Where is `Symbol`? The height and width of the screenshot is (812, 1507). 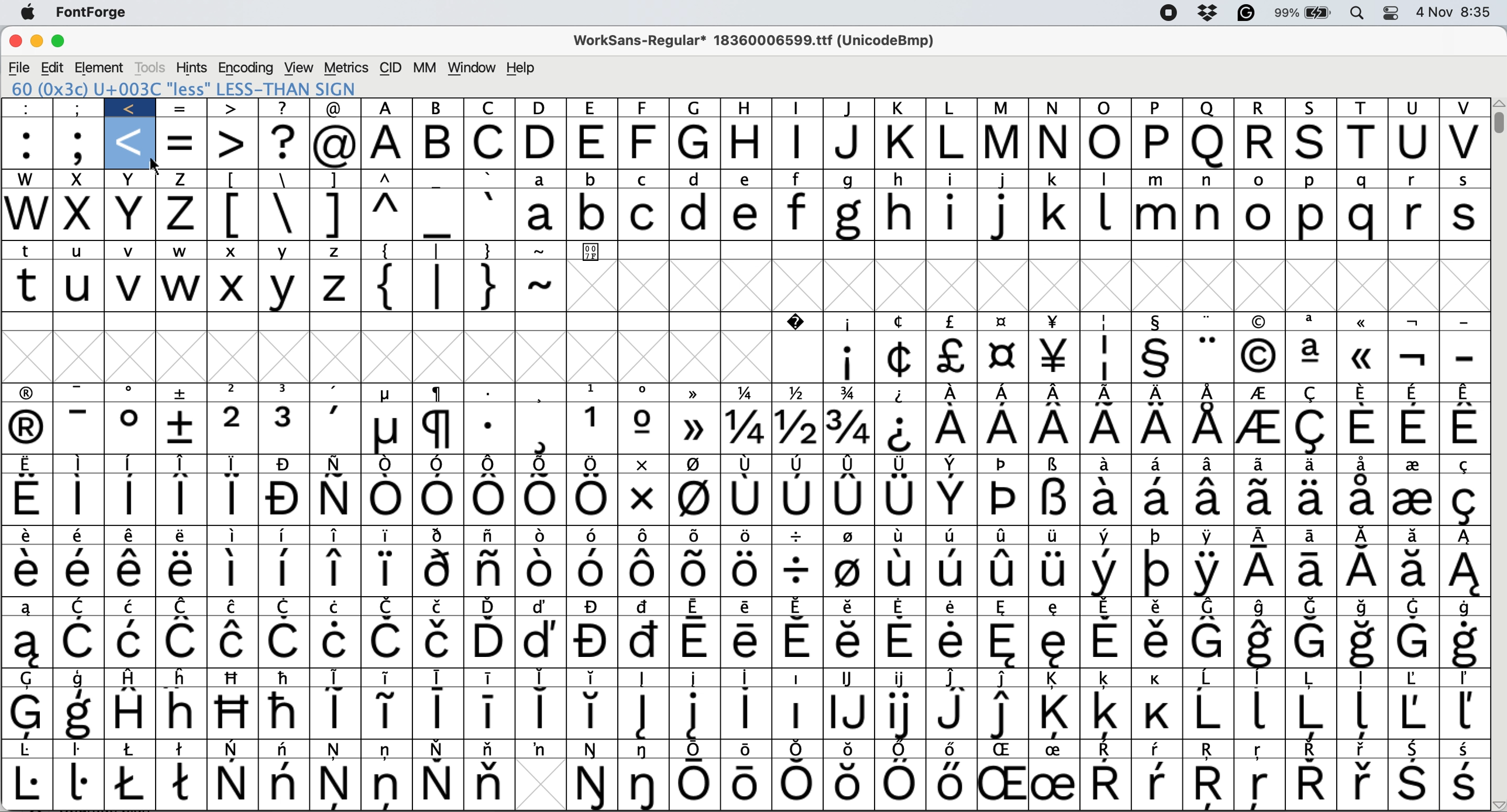 Symbol is located at coordinates (438, 464).